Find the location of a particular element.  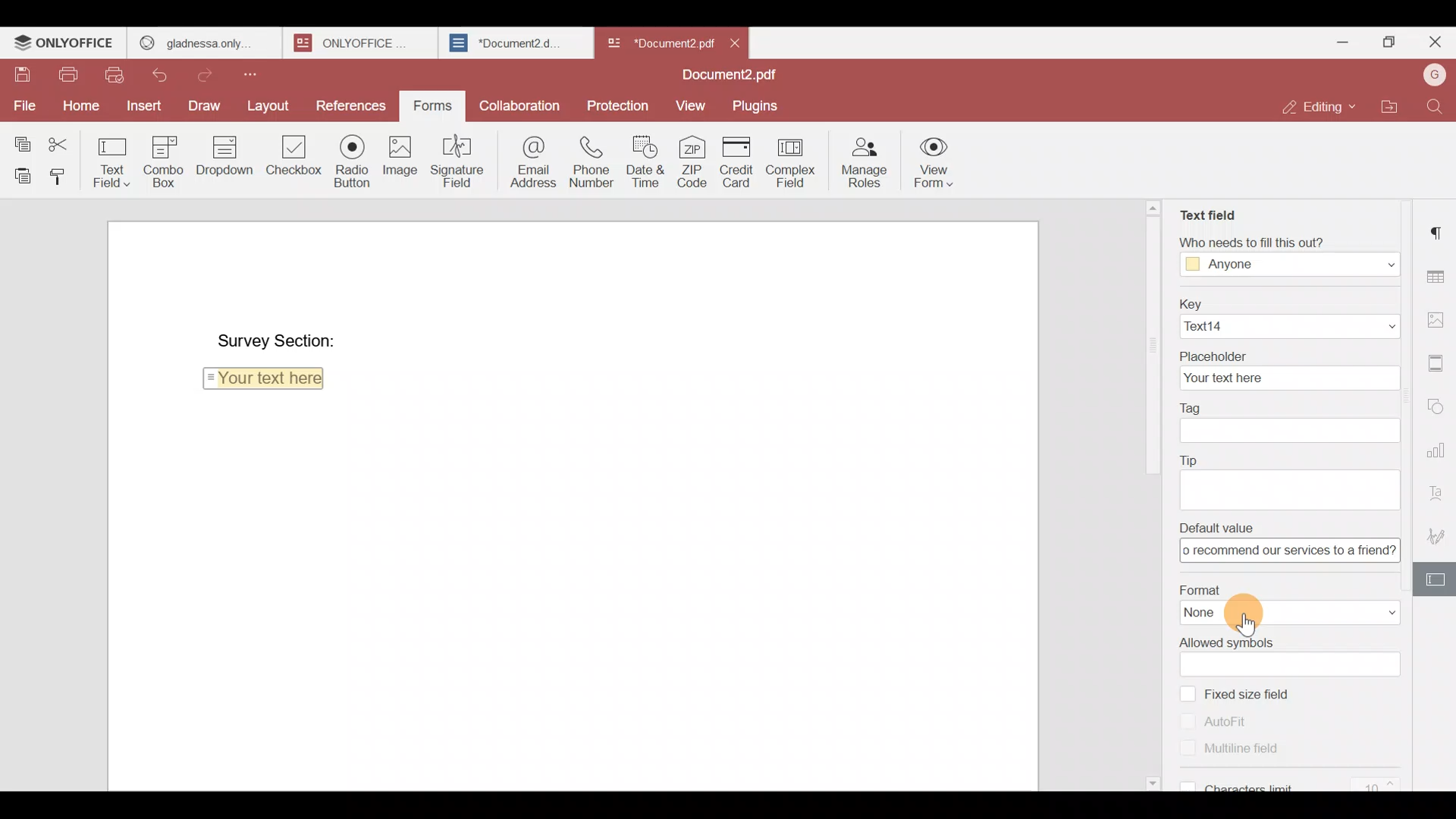

*Document2 pd is located at coordinates (657, 42).